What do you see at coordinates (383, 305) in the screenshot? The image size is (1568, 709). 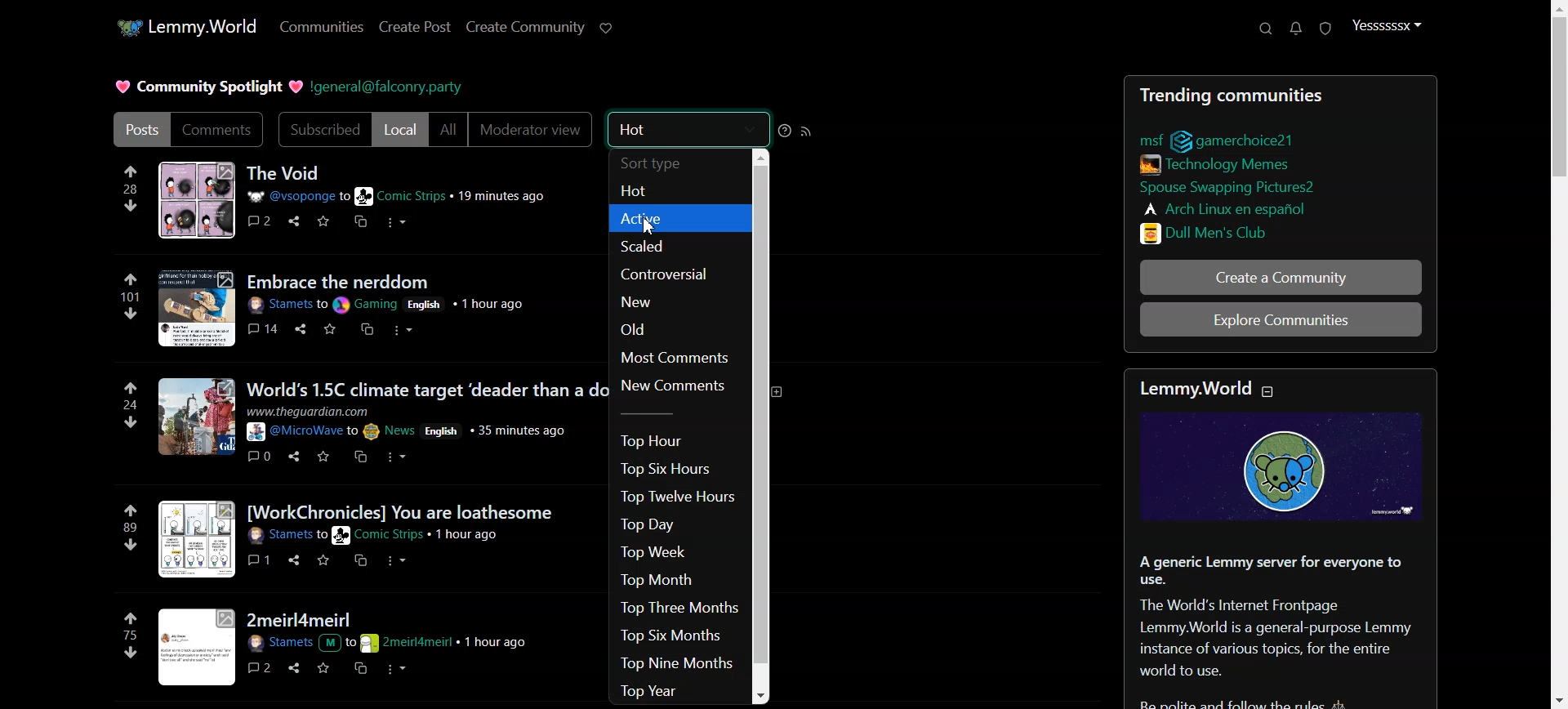 I see `post details` at bounding box center [383, 305].